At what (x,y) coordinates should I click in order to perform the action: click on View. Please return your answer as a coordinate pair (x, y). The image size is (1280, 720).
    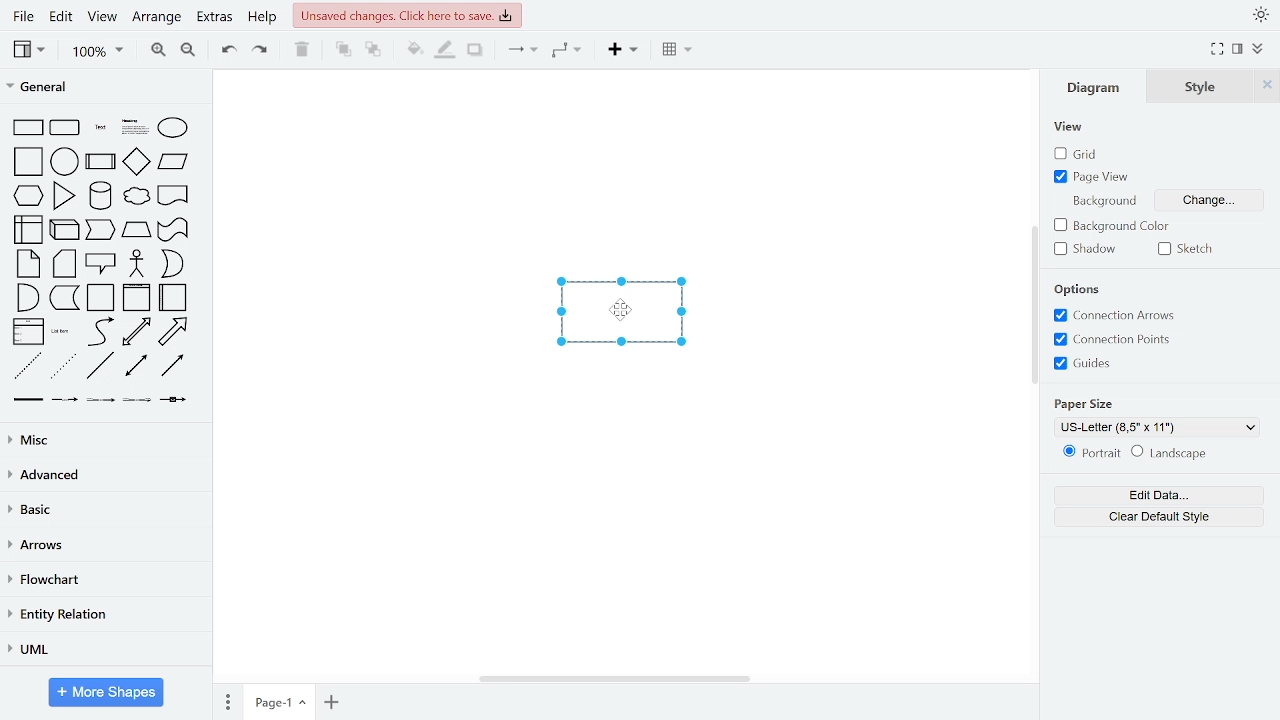
    Looking at the image, I should click on (1073, 127).